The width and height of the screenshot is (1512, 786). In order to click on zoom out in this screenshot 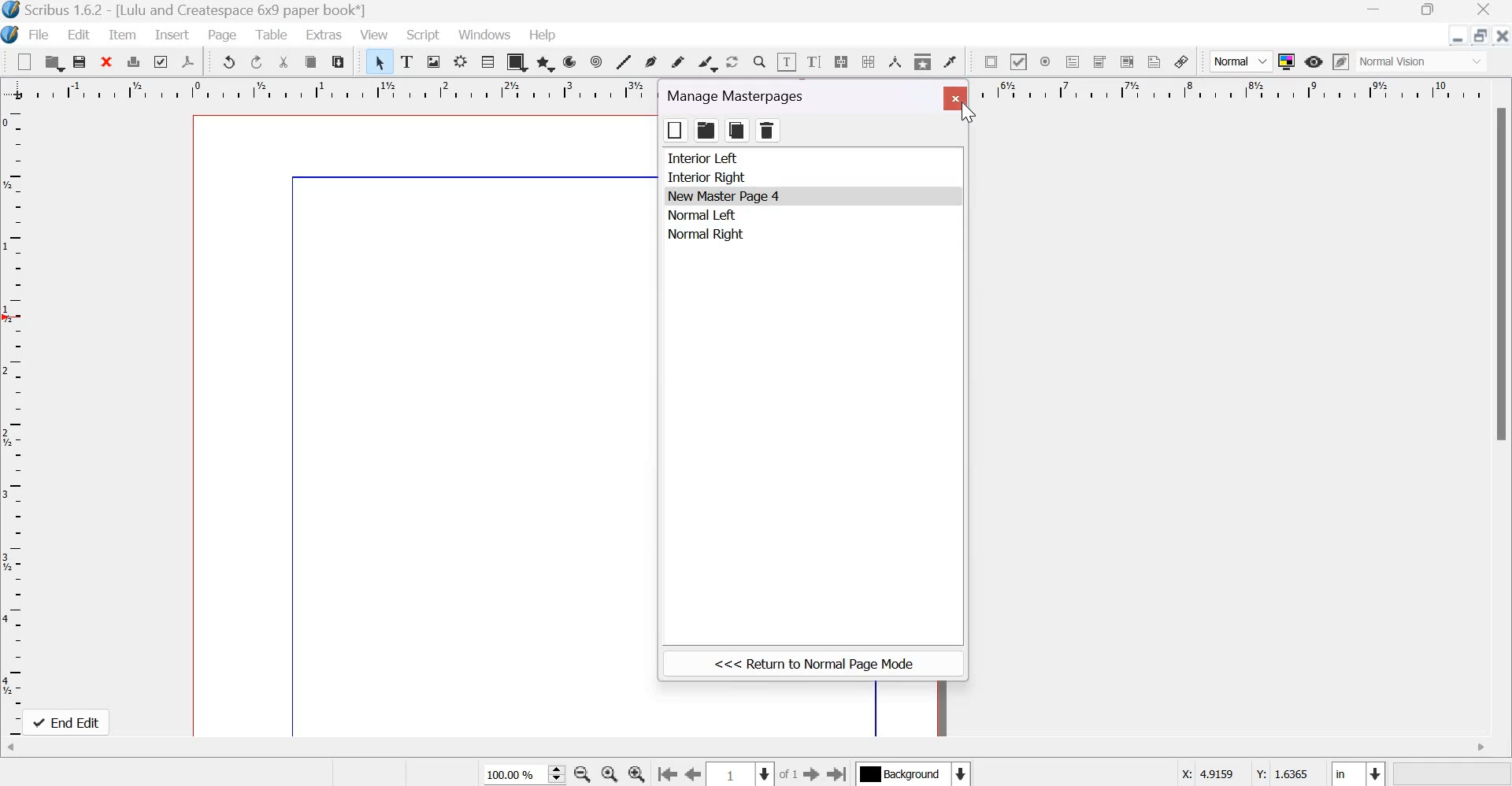, I will do `click(580, 773)`.